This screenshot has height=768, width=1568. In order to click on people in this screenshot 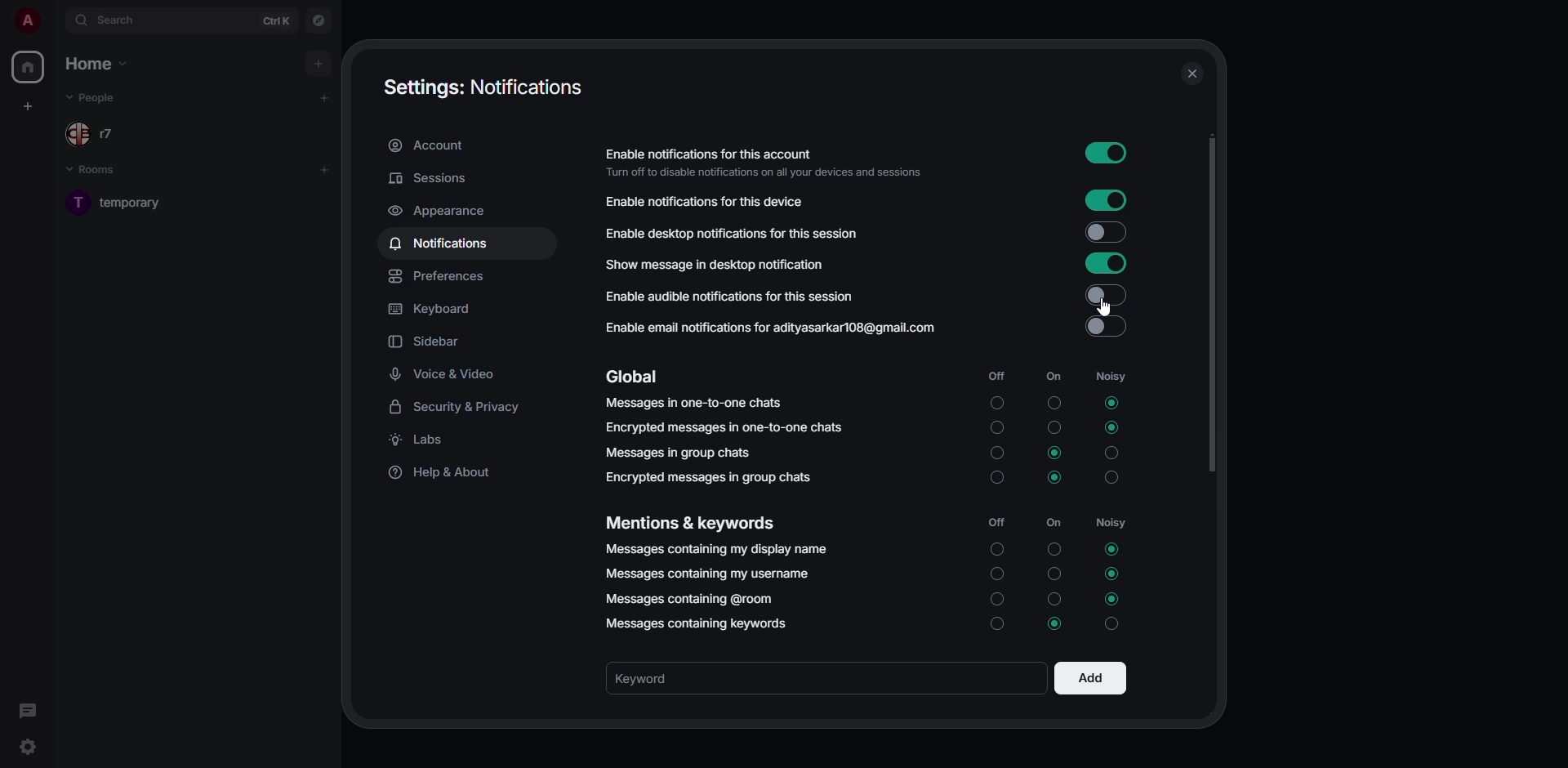, I will do `click(95, 98)`.